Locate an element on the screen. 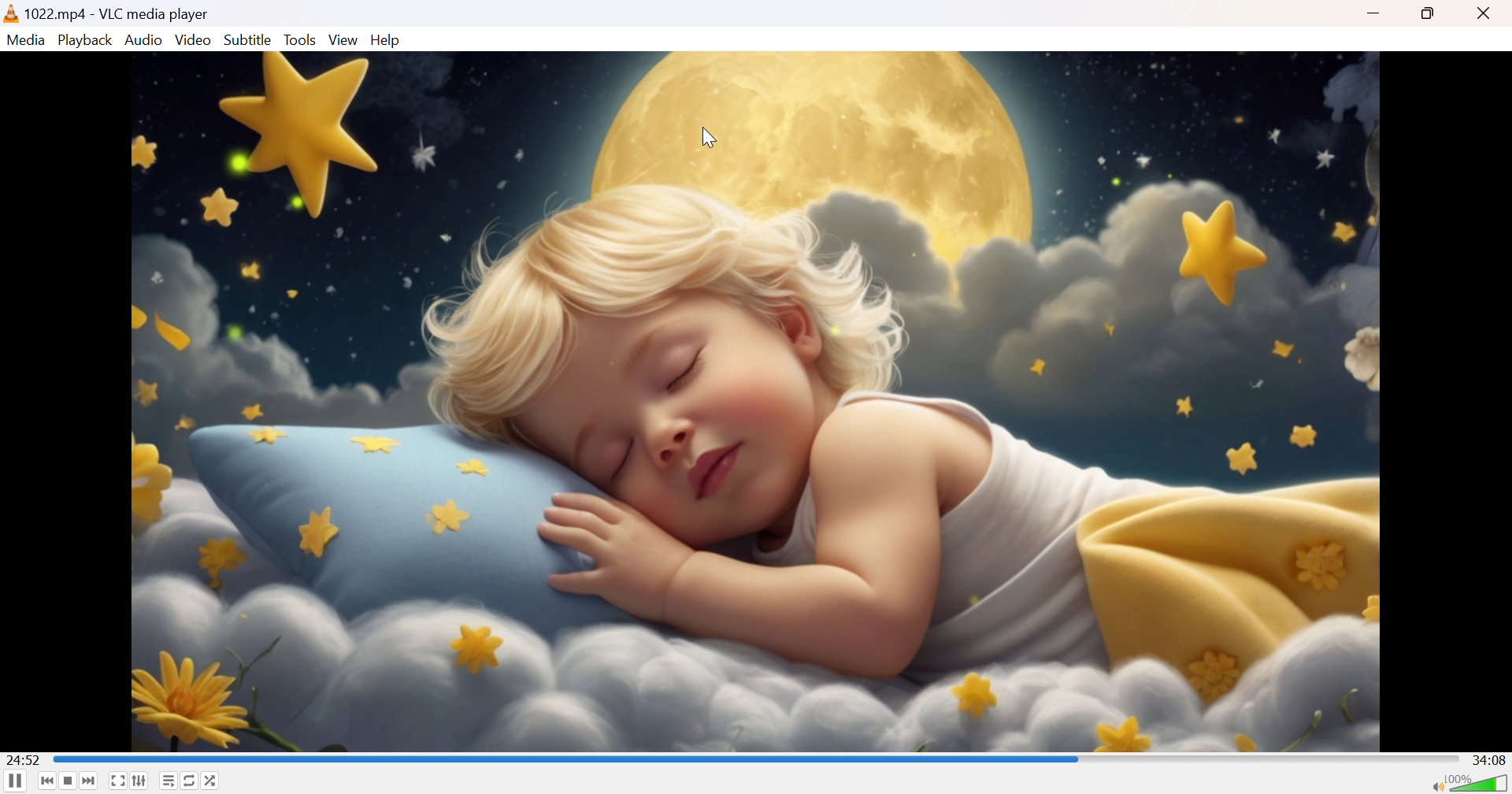 Image resolution: width=1512 pixels, height=794 pixels. 24:52 is located at coordinates (24, 759).